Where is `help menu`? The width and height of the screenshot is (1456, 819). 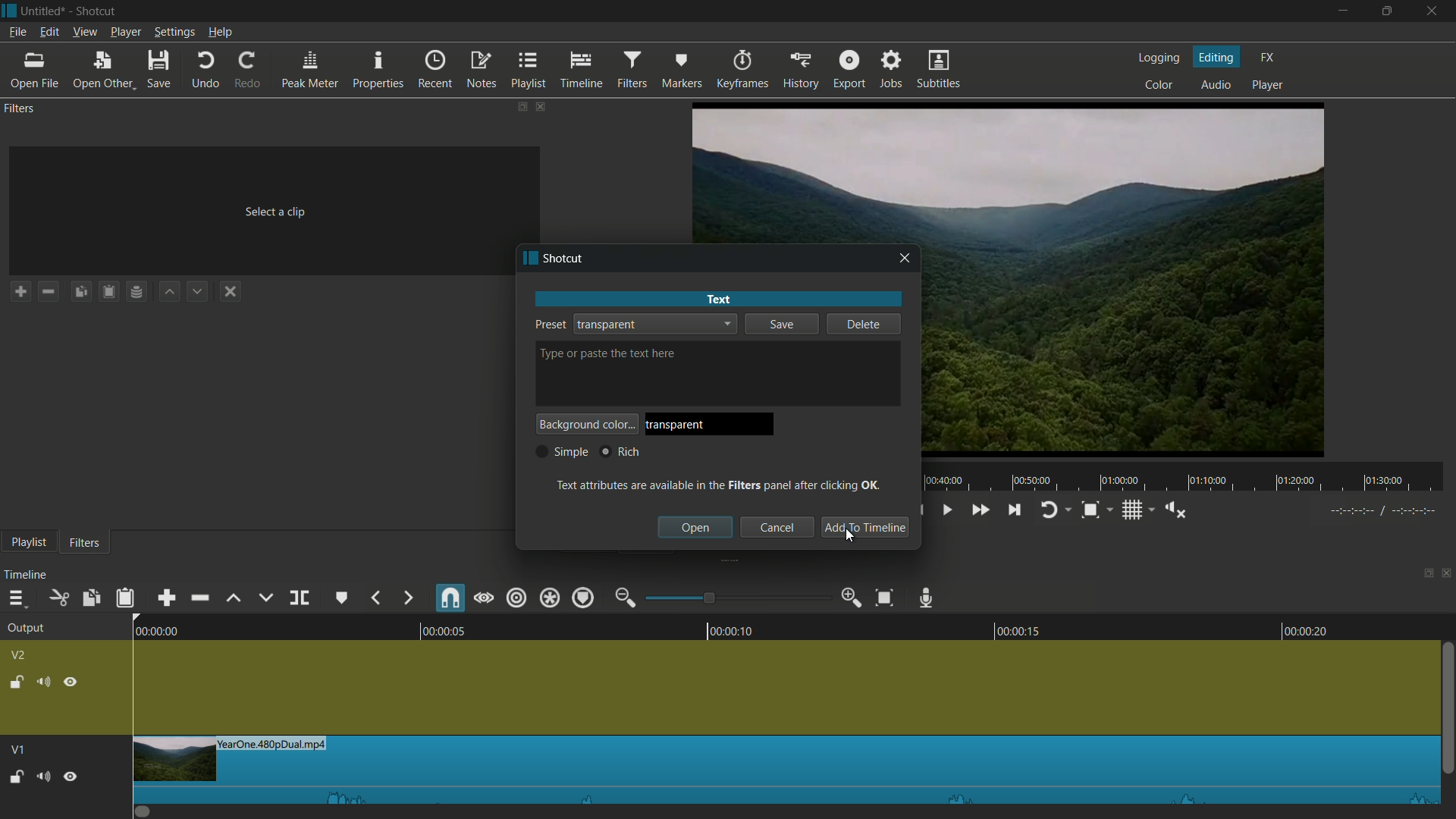 help menu is located at coordinates (220, 32).